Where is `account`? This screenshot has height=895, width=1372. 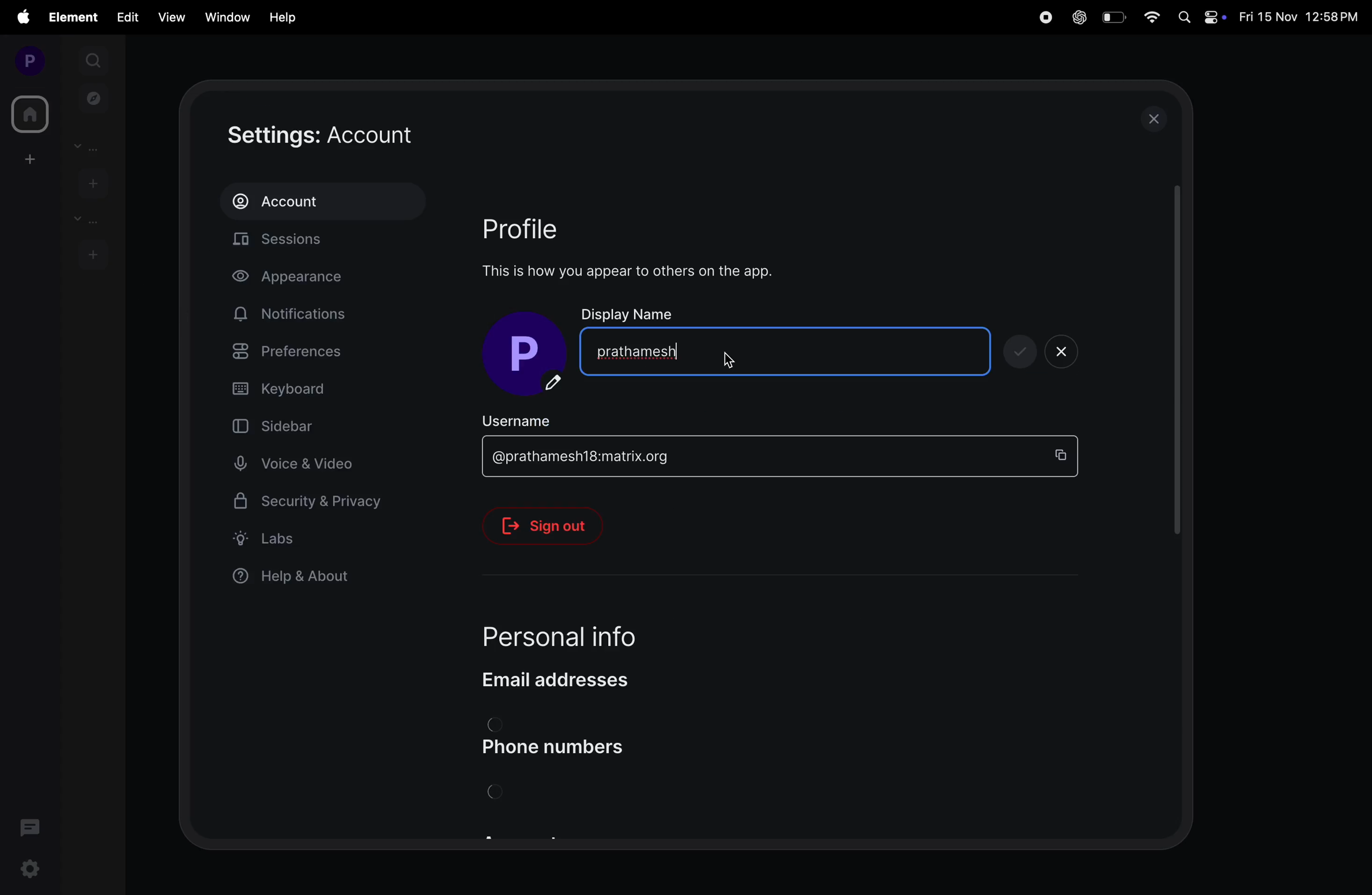 account is located at coordinates (322, 201).